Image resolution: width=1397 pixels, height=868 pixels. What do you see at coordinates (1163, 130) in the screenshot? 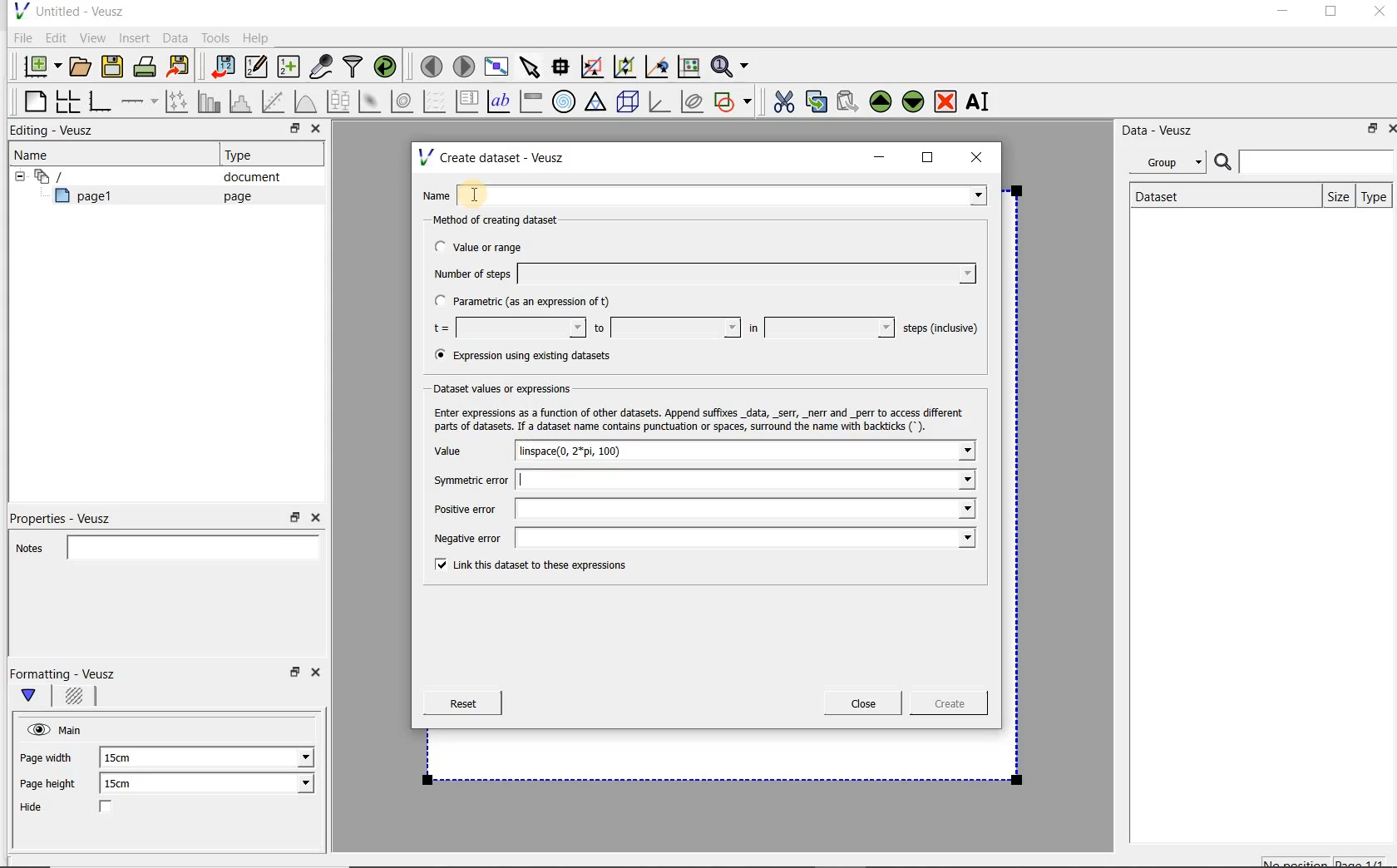
I see `Data - Veusz` at bounding box center [1163, 130].